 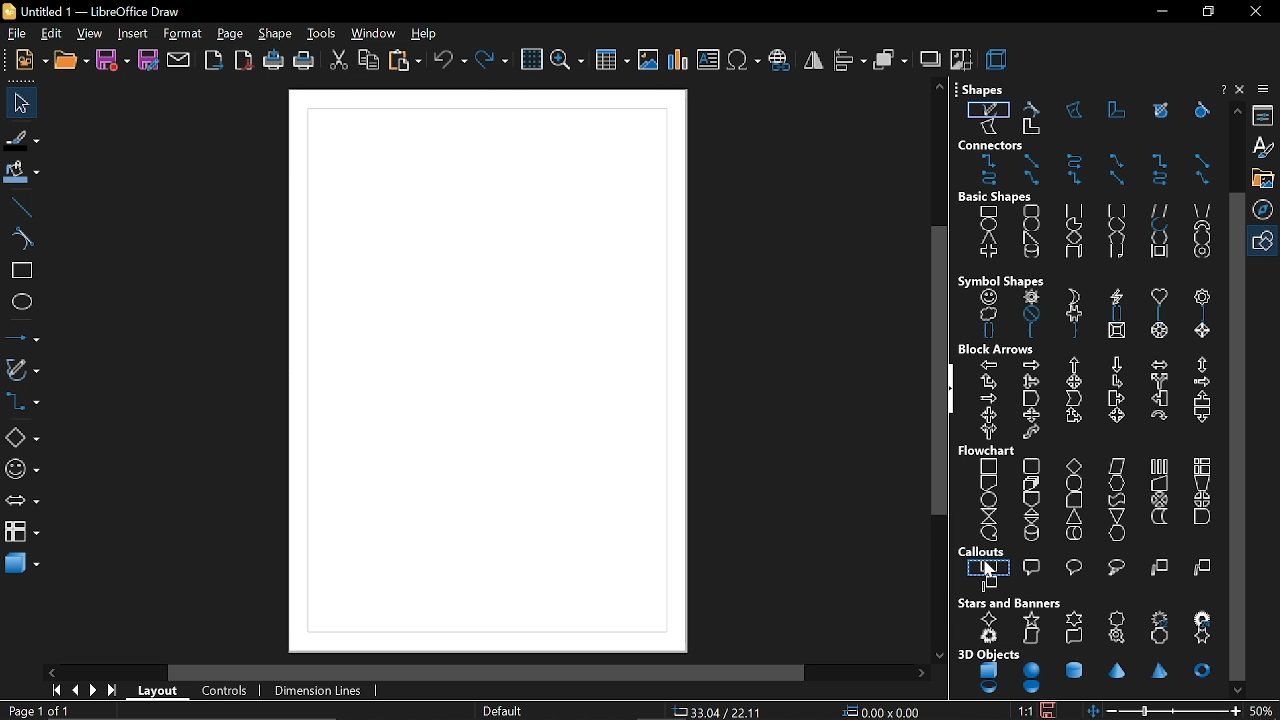 What do you see at coordinates (1117, 382) in the screenshot?
I see `corner right arrow` at bounding box center [1117, 382].